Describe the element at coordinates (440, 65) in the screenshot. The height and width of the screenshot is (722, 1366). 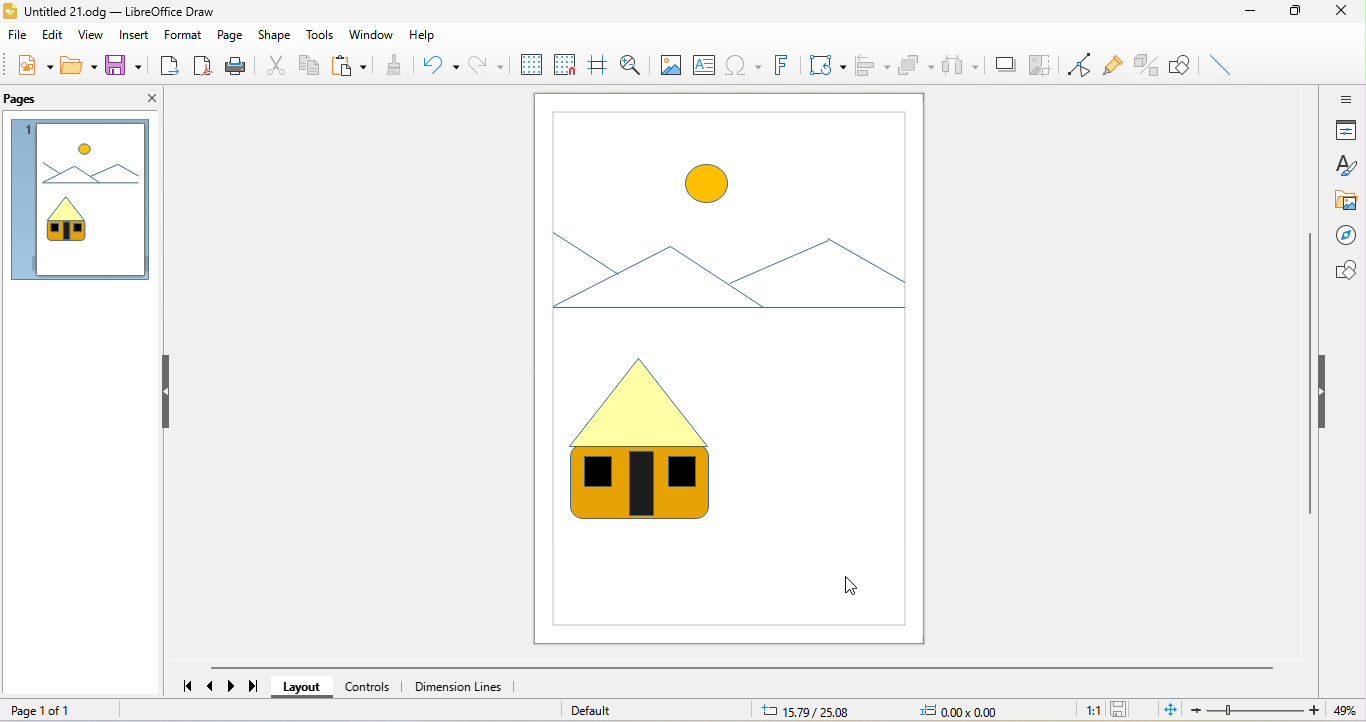
I see `undo` at that location.